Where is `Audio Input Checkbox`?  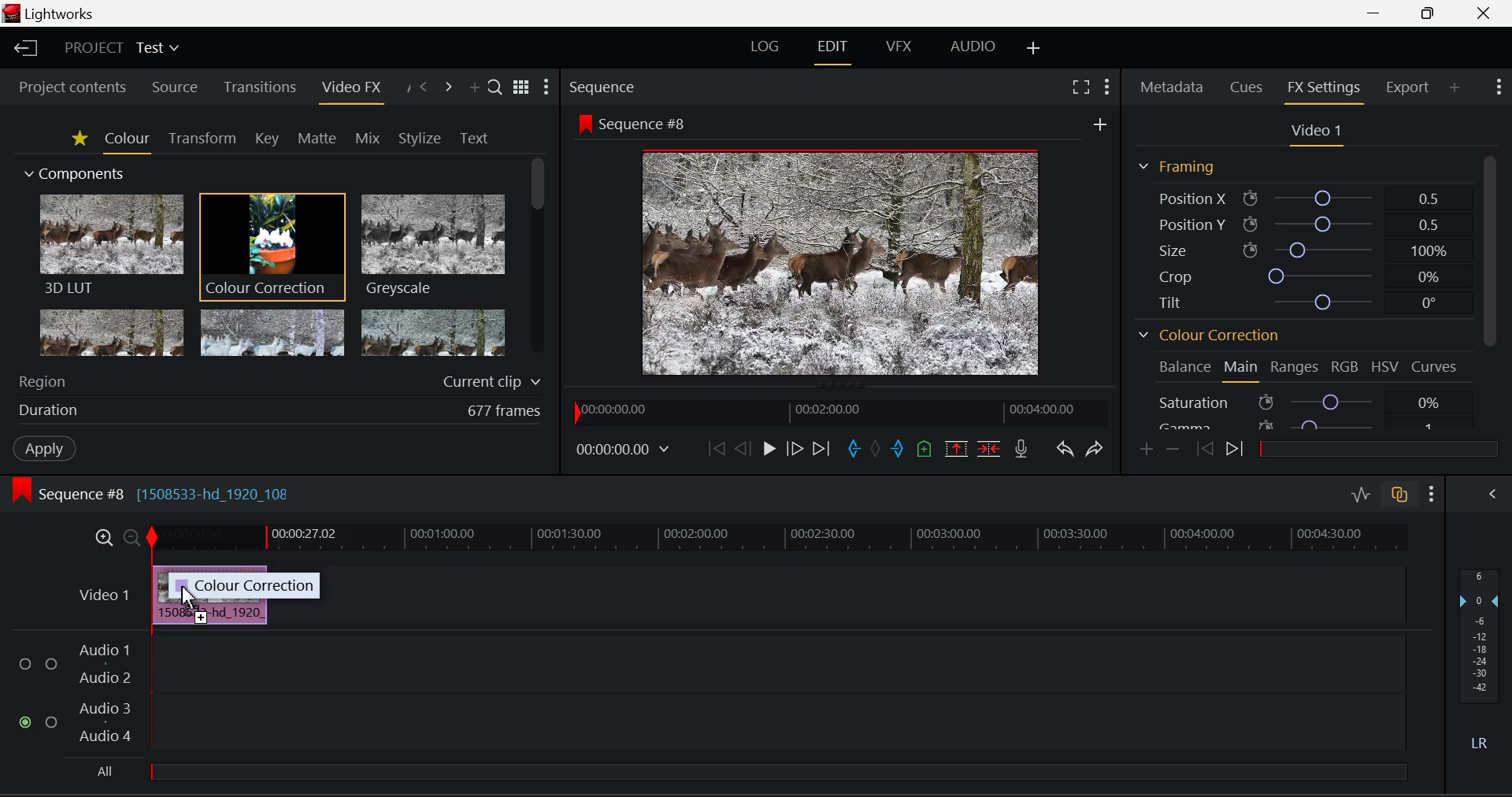 Audio Input Checkbox is located at coordinates (51, 662).